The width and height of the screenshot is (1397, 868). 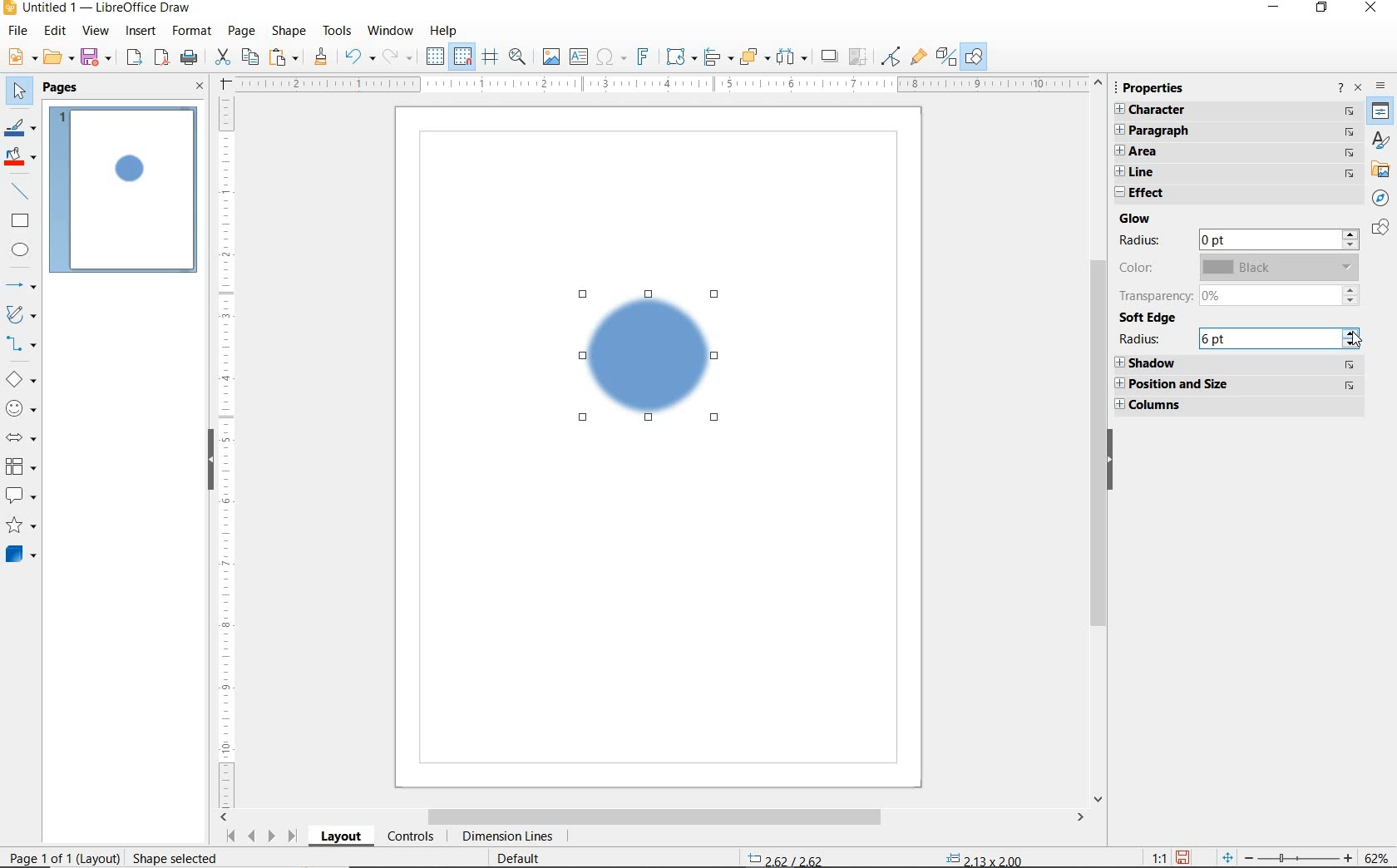 I want to click on PAGES, so click(x=62, y=89).